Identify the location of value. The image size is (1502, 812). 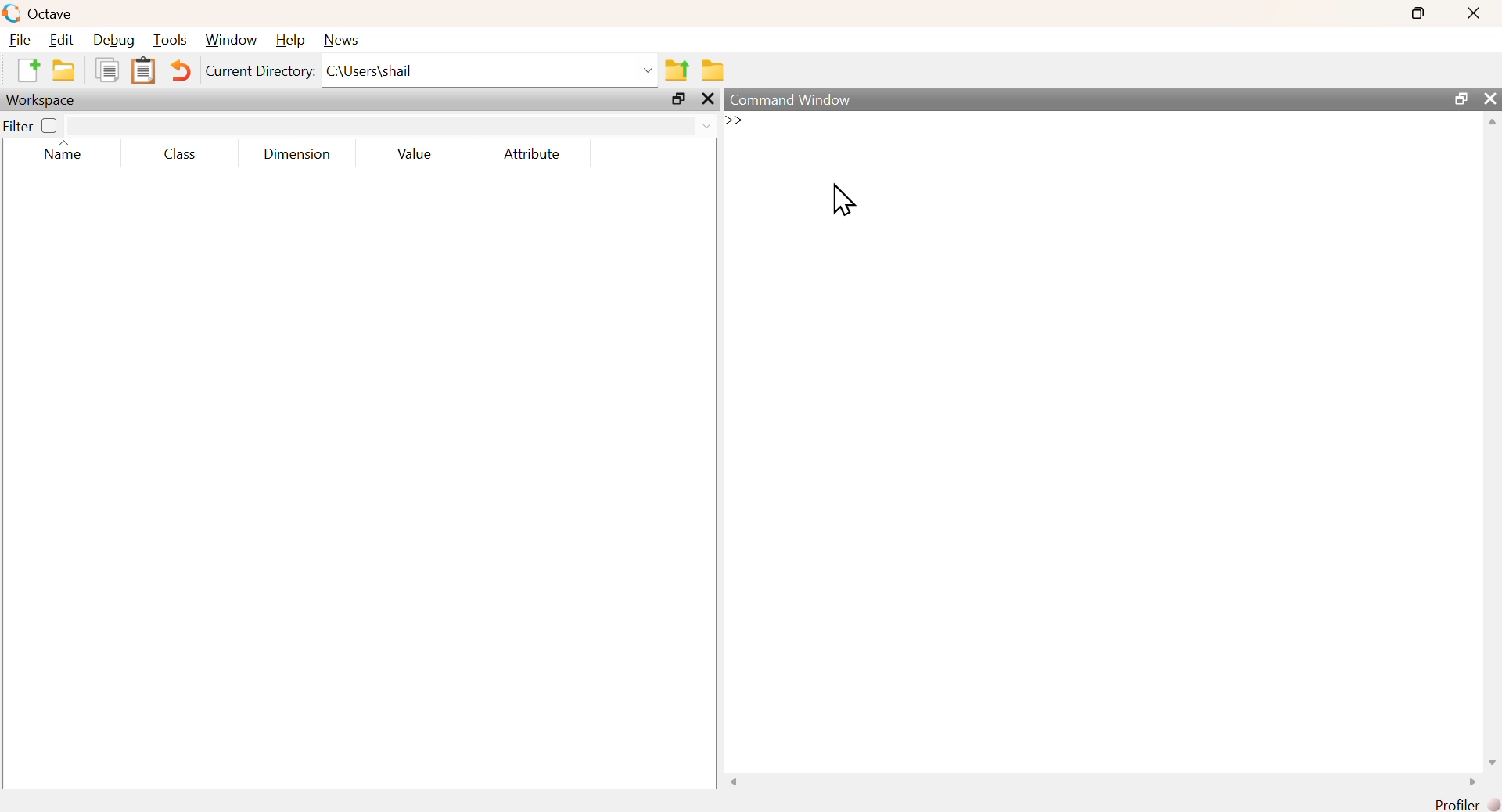
(414, 154).